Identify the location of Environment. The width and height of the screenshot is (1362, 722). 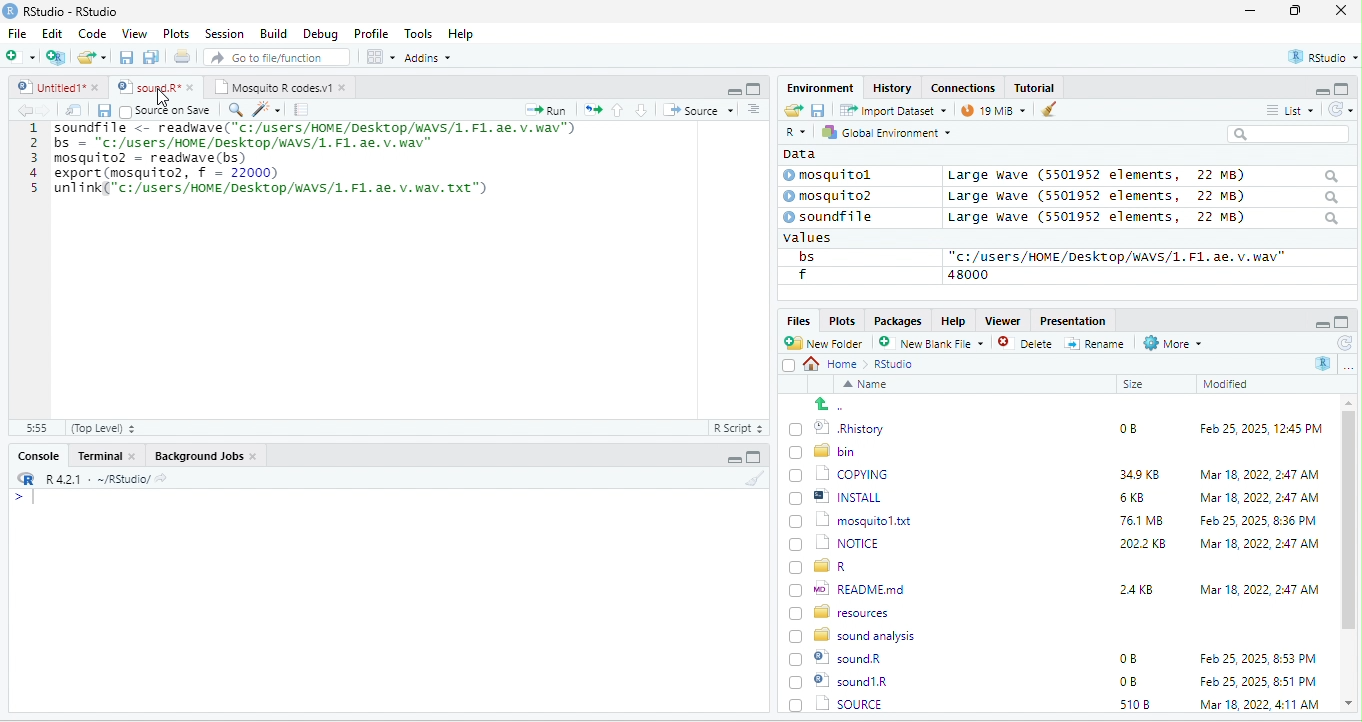
(820, 87).